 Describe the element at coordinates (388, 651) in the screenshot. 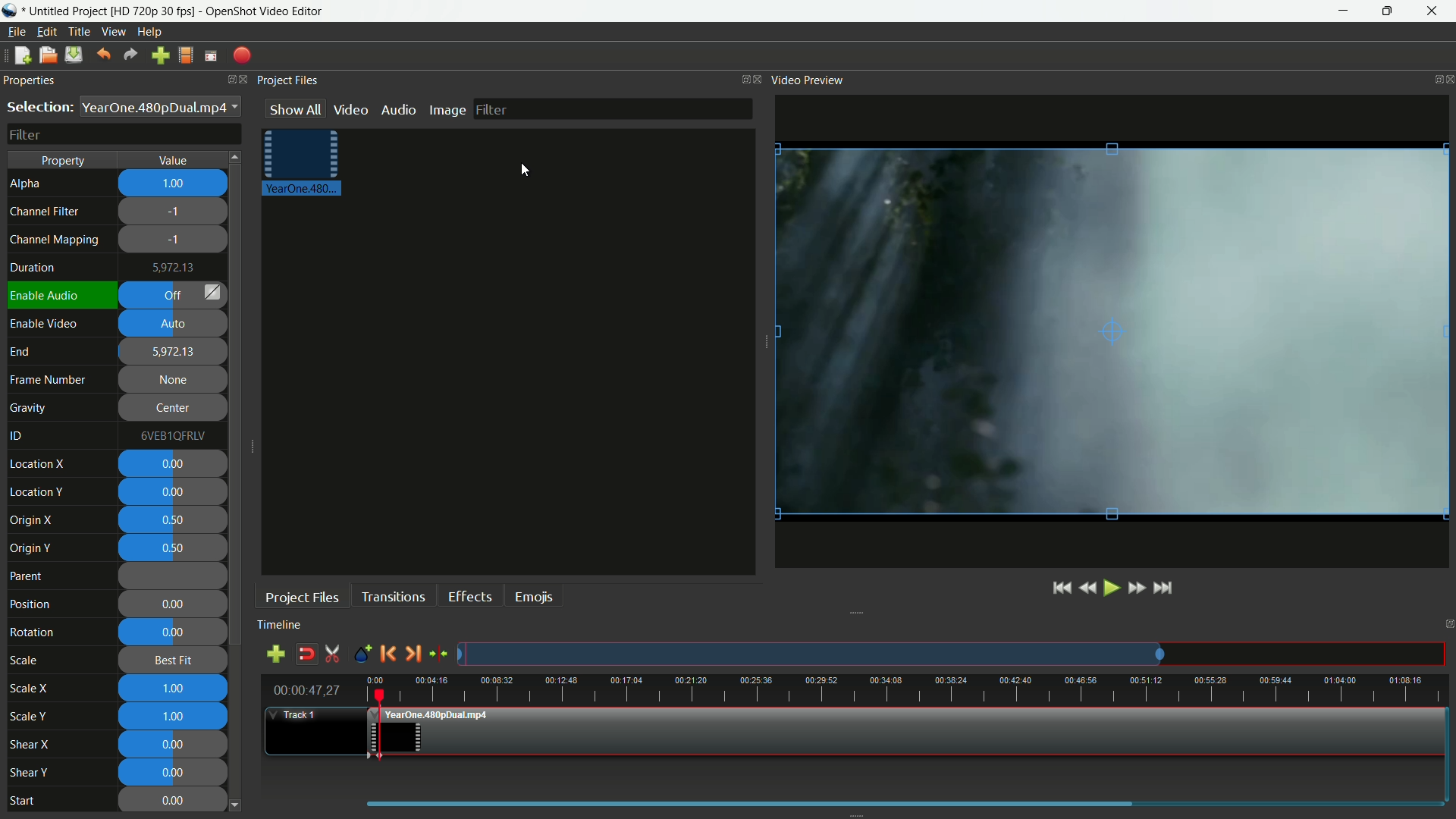

I see `previous marker` at that location.